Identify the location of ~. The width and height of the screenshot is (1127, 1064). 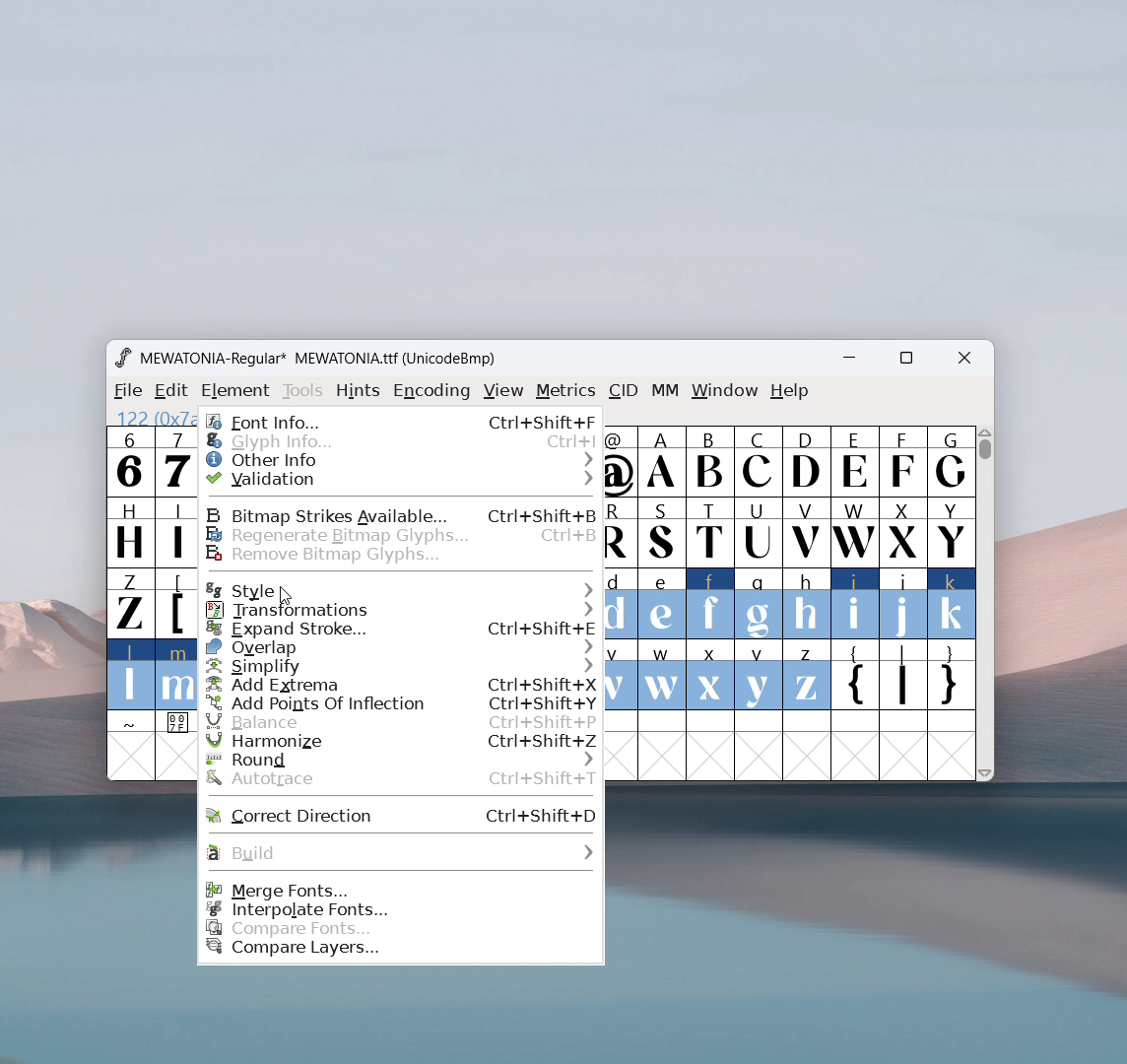
(131, 723).